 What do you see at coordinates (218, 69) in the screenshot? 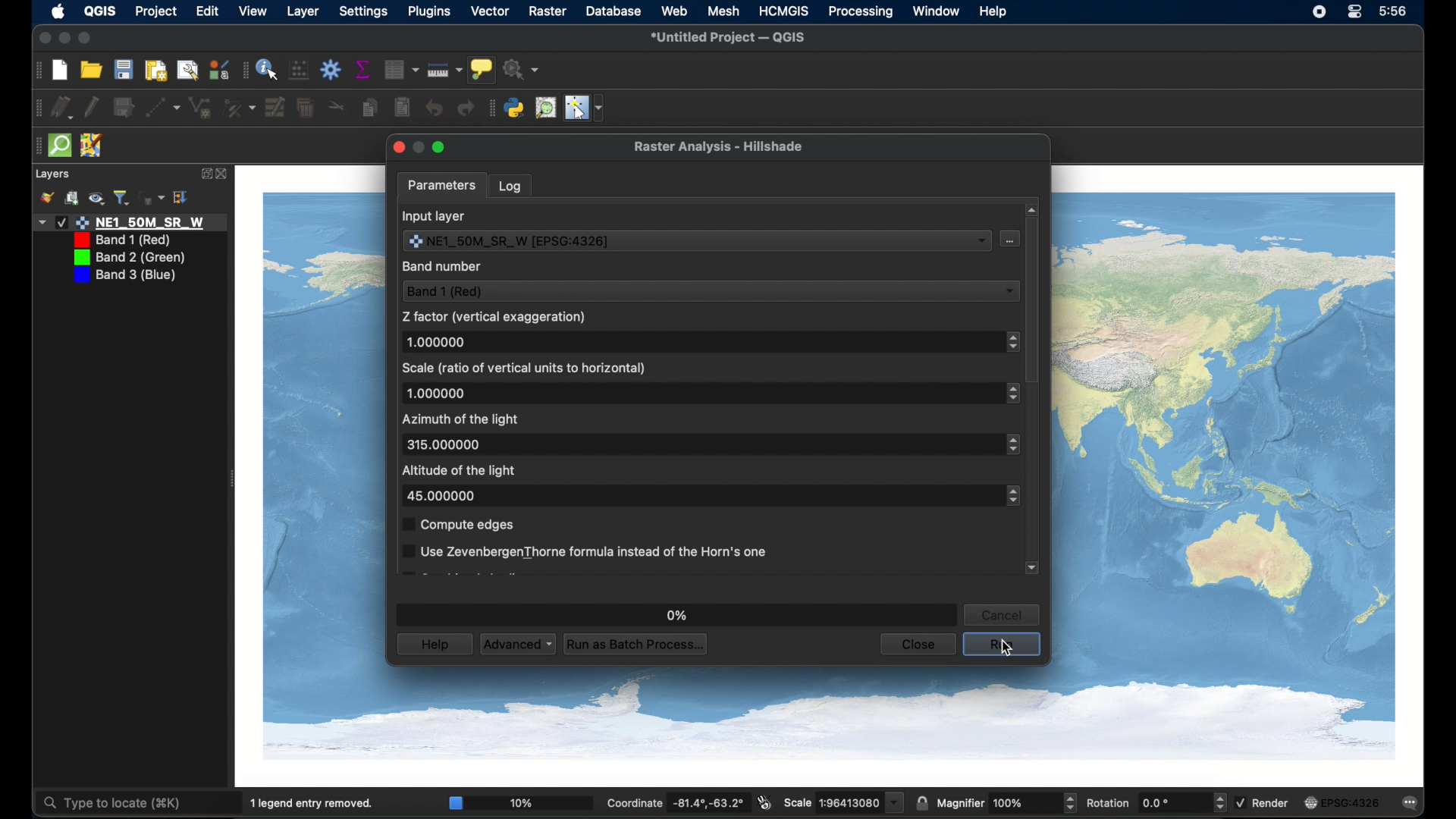
I see `style manager` at bounding box center [218, 69].